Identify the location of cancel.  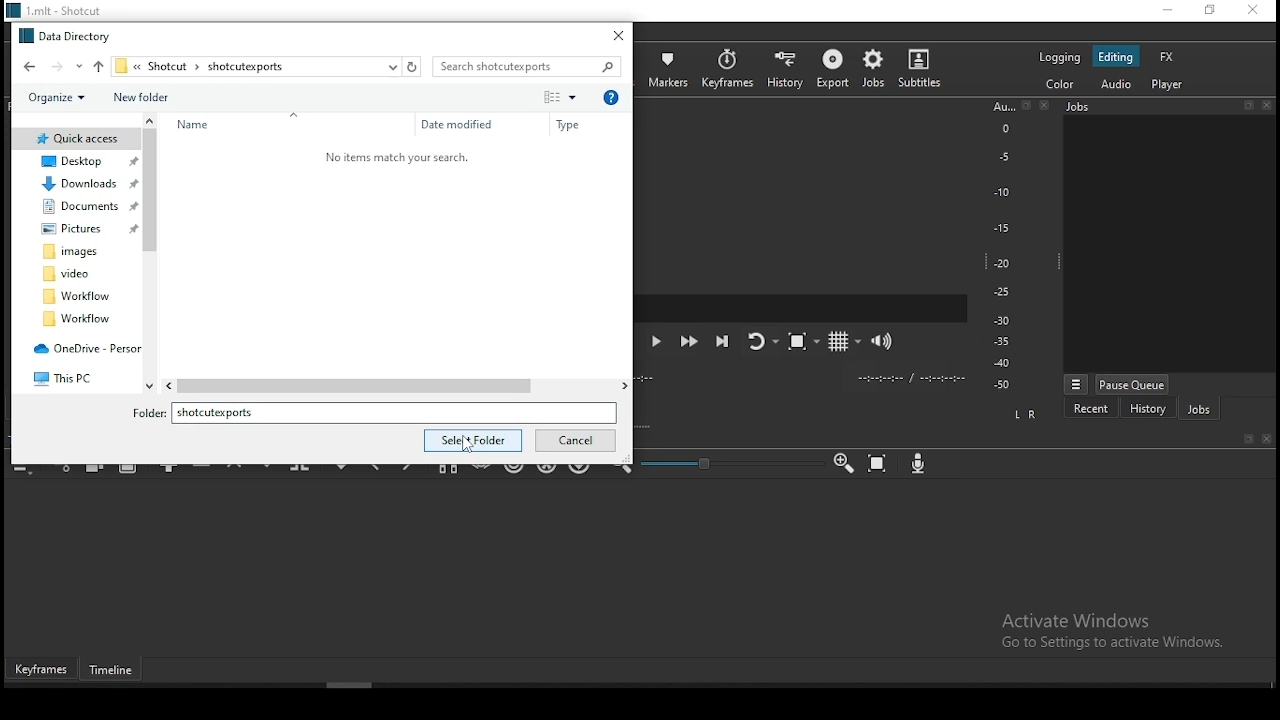
(576, 441).